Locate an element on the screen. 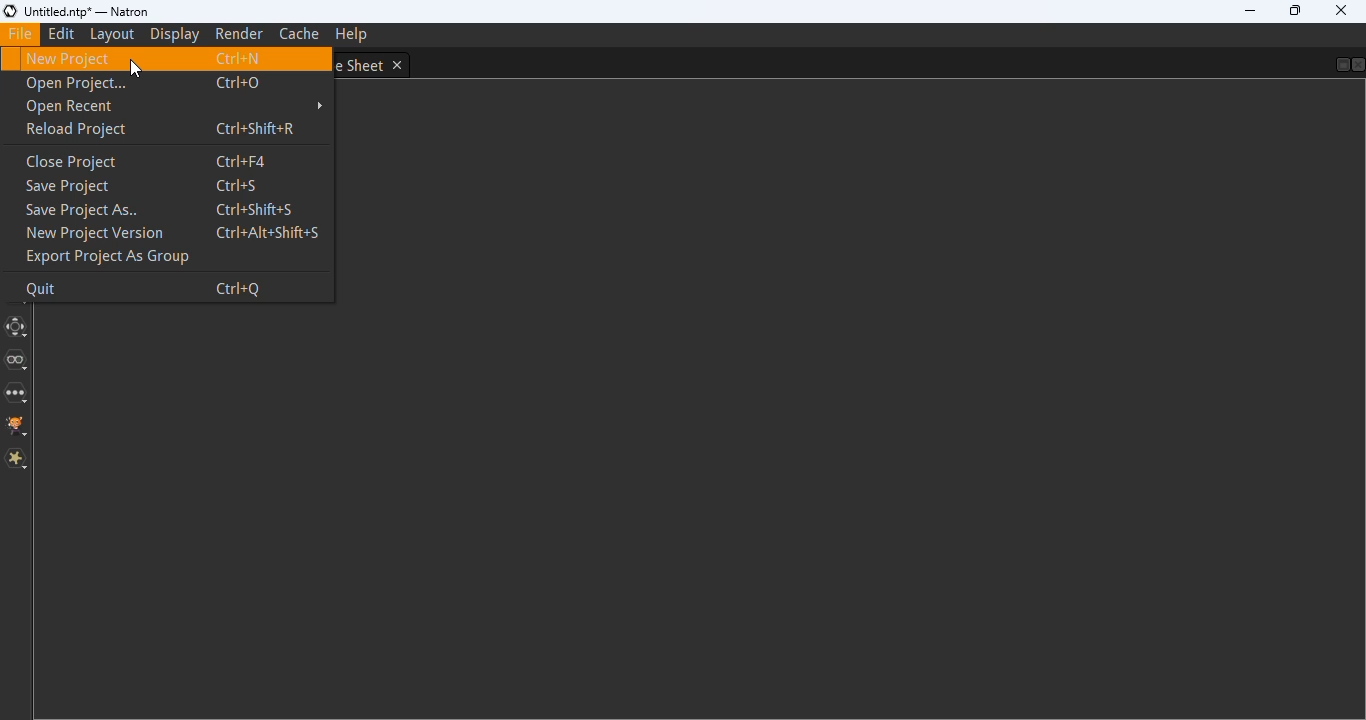  edit is located at coordinates (61, 33).